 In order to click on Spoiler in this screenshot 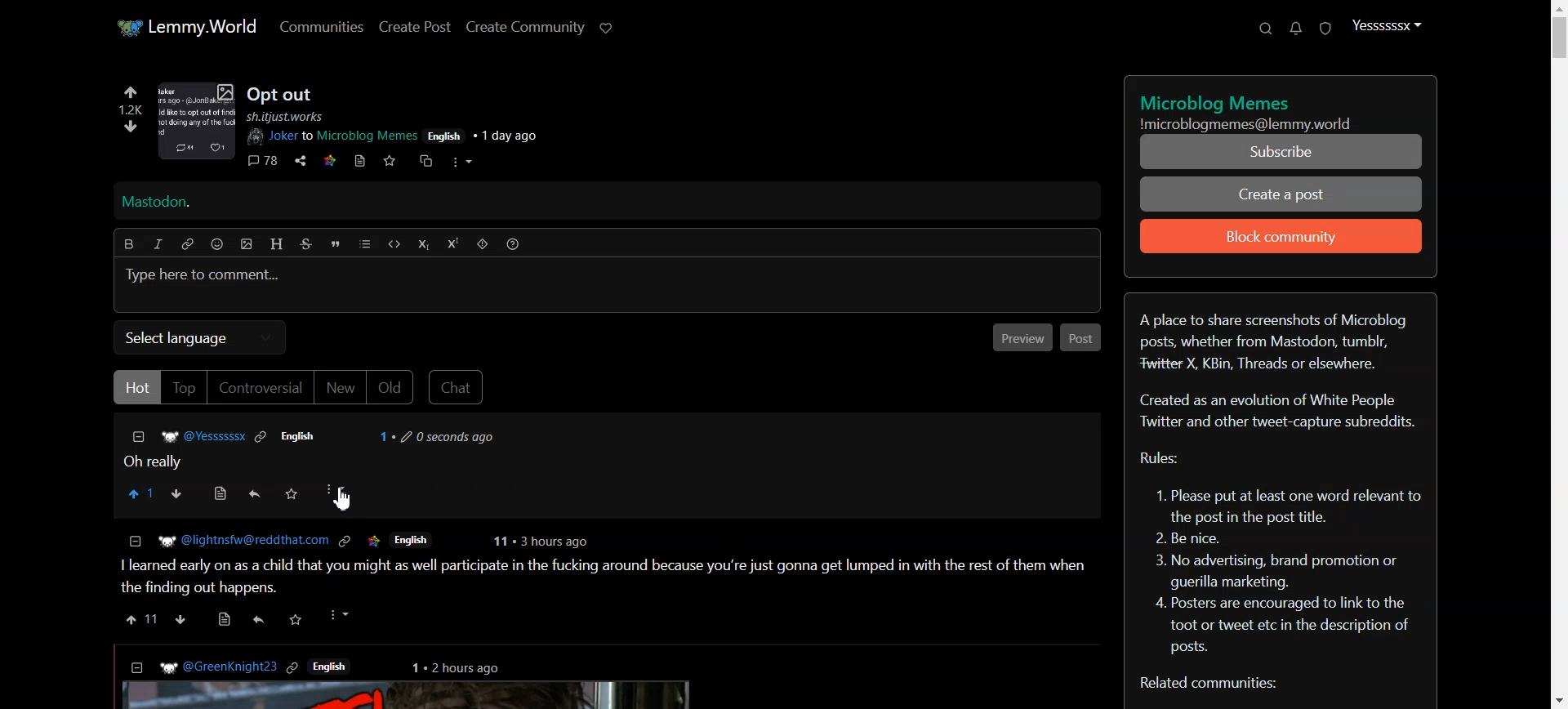, I will do `click(483, 244)`.